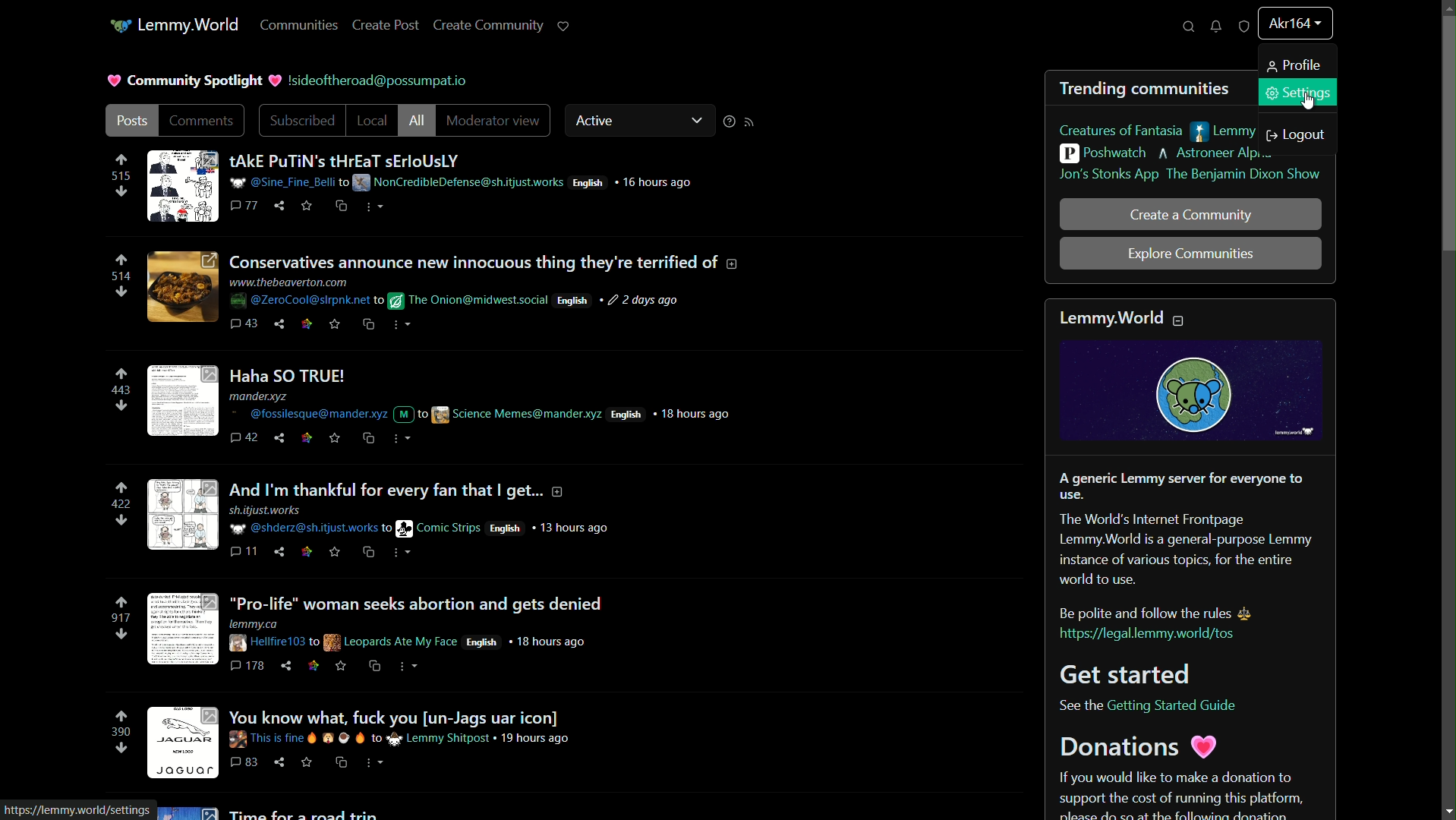 This screenshot has width=1456, height=820. Describe the element at coordinates (1106, 175) in the screenshot. I see `jon's stonks app` at that location.